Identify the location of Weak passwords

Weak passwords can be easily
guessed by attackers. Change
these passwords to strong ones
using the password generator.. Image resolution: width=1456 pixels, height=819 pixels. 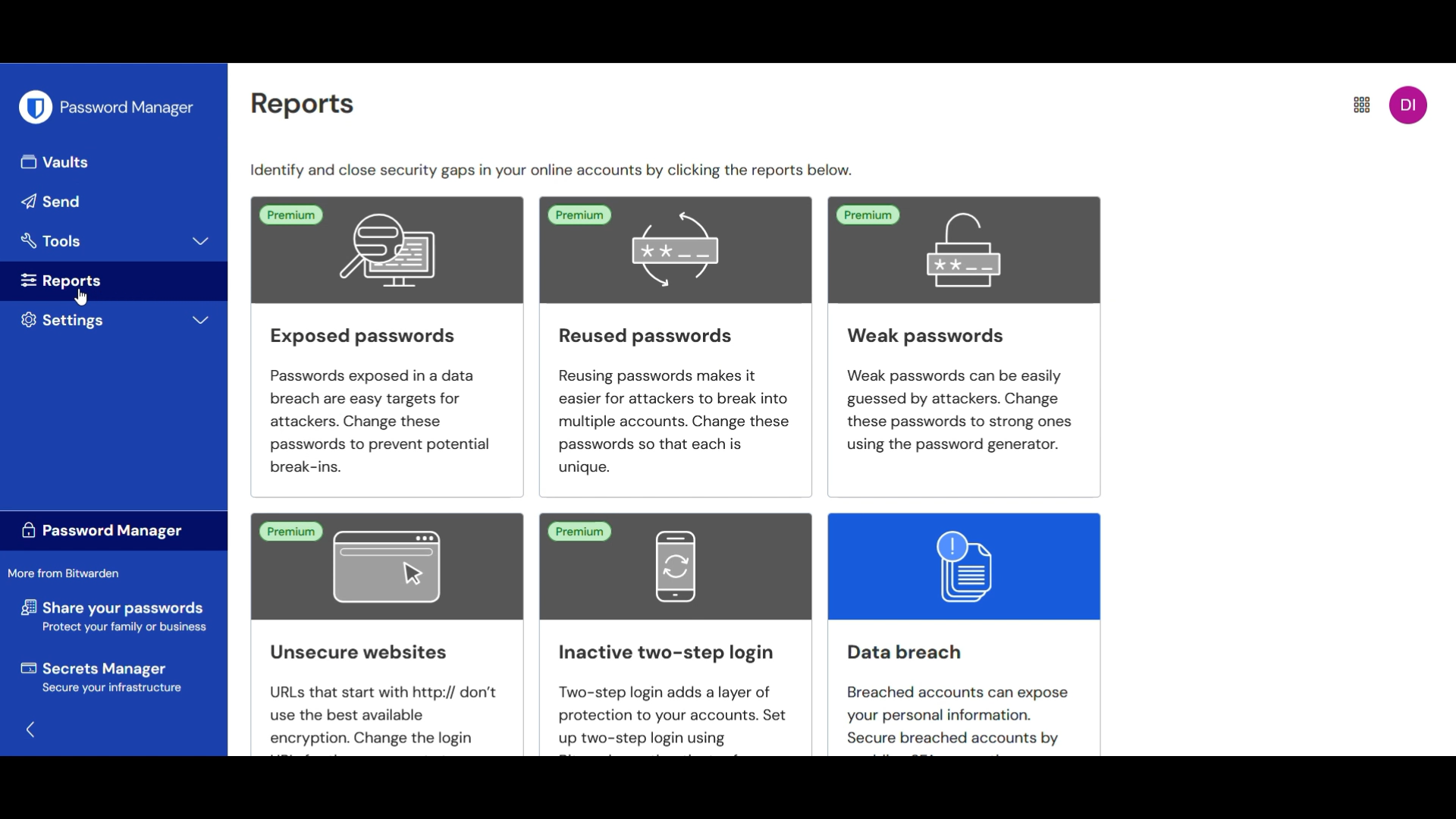
(962, 348).